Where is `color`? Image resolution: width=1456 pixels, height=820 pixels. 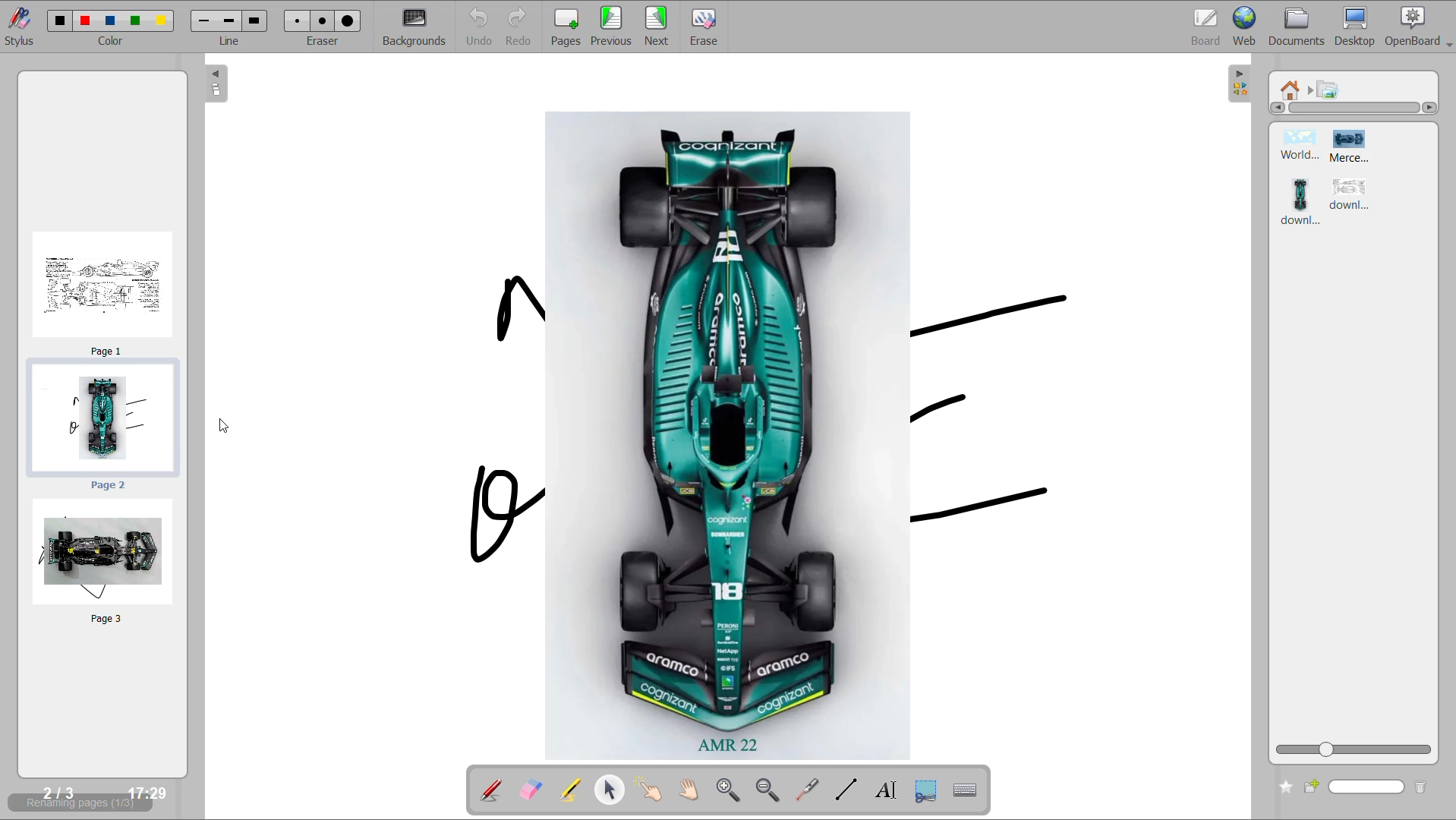
color is located at coordinates (110, 43).